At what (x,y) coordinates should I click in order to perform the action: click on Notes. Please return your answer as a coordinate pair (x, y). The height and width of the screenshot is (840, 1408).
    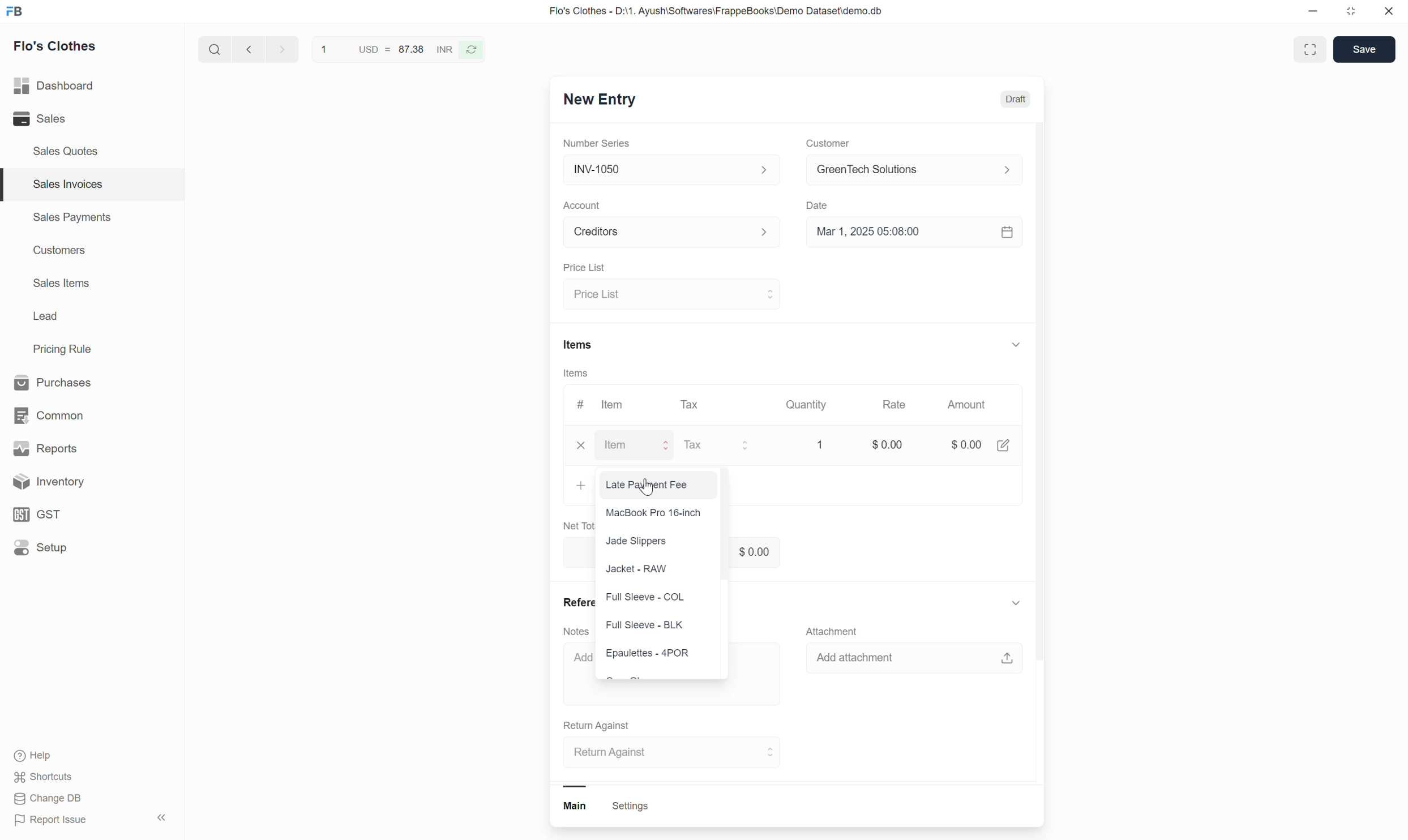
    Looking at the image, I should click on (576, 628).